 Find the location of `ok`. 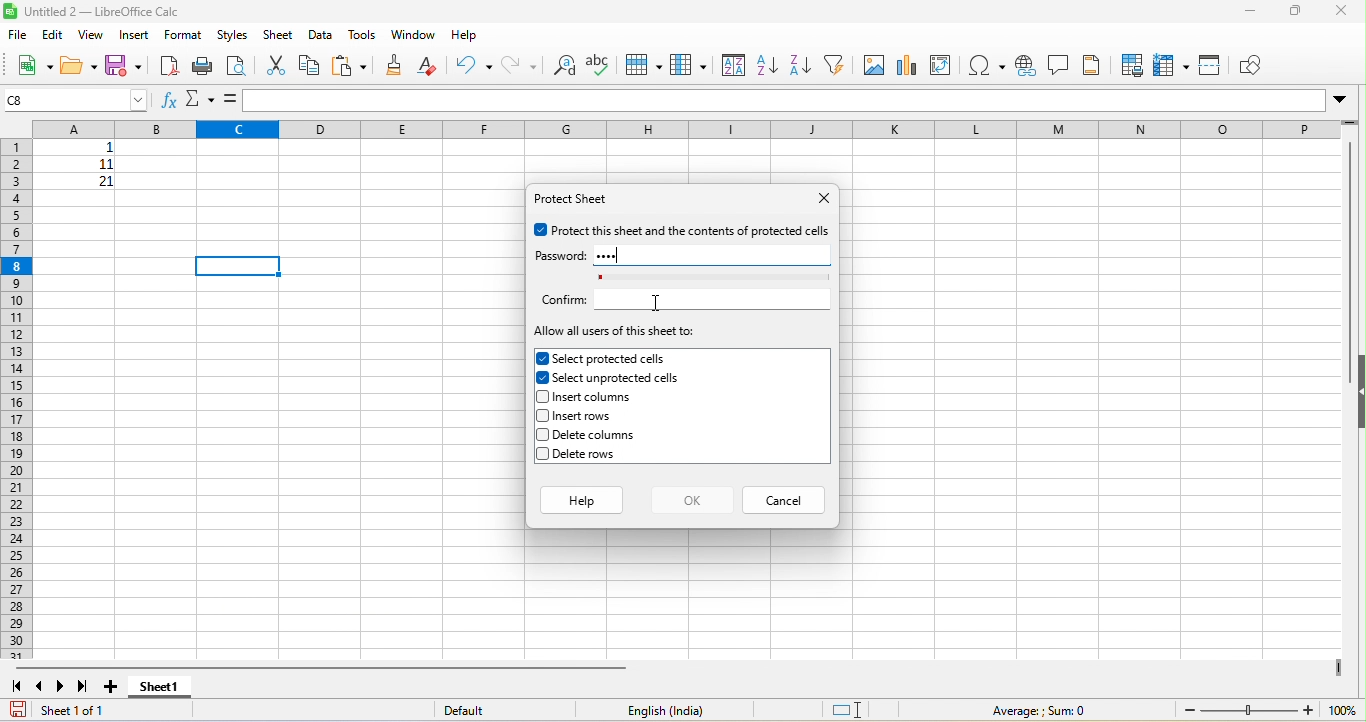

ok is located at coordinates (692, 500).